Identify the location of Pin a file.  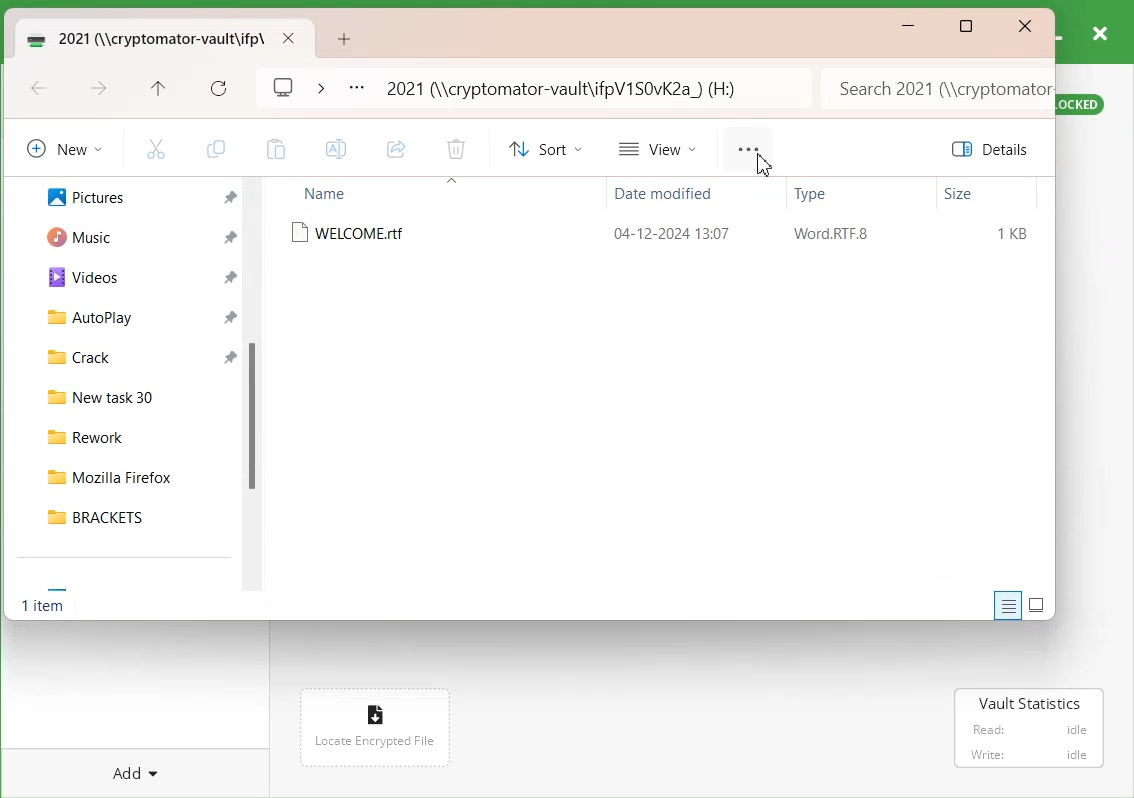
(230, 316).